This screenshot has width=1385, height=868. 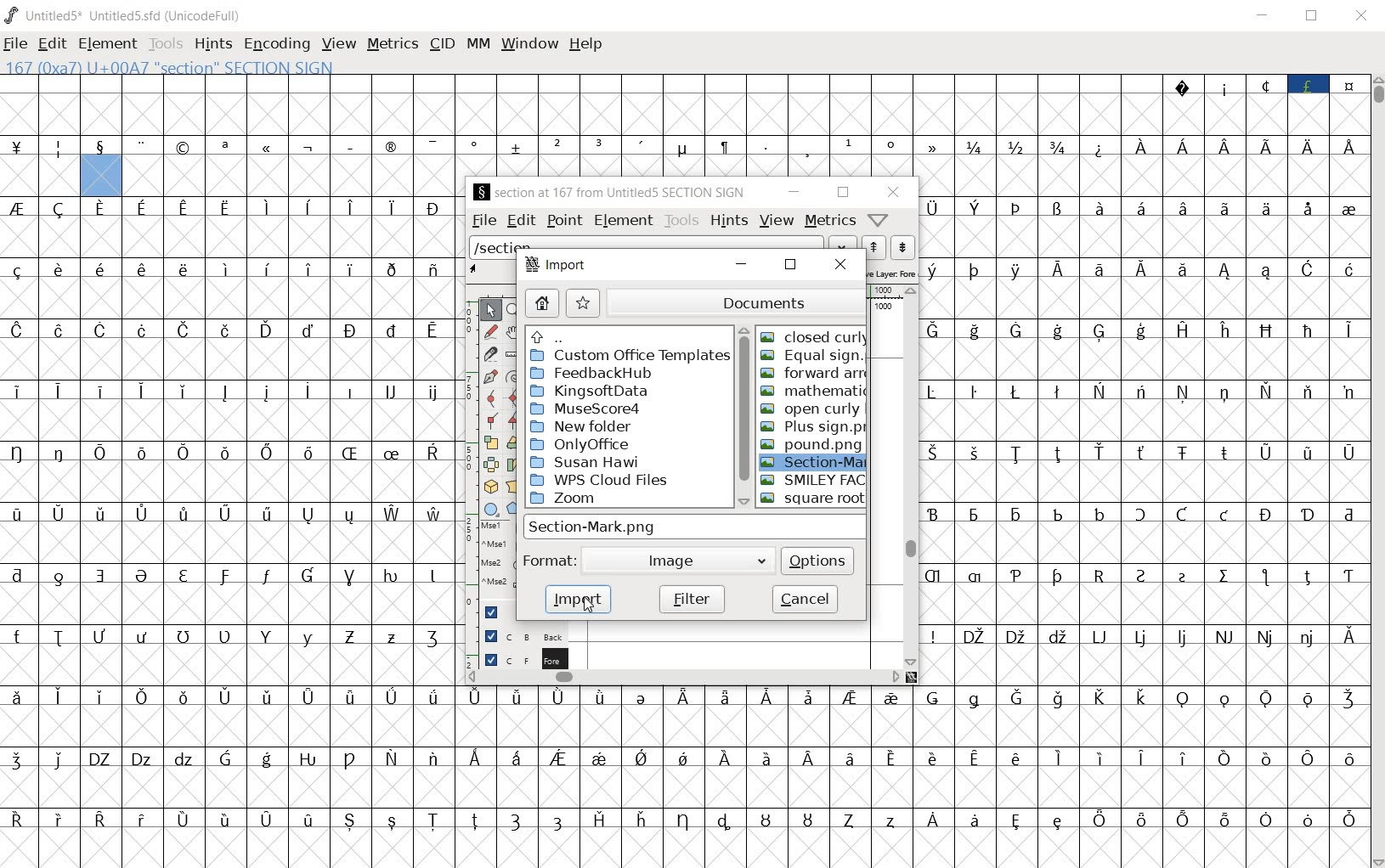 What do you see at coordinates (513, 354) in the screenshot?
I see `measure a distance, angle between points` at bounding box center [513, 354].